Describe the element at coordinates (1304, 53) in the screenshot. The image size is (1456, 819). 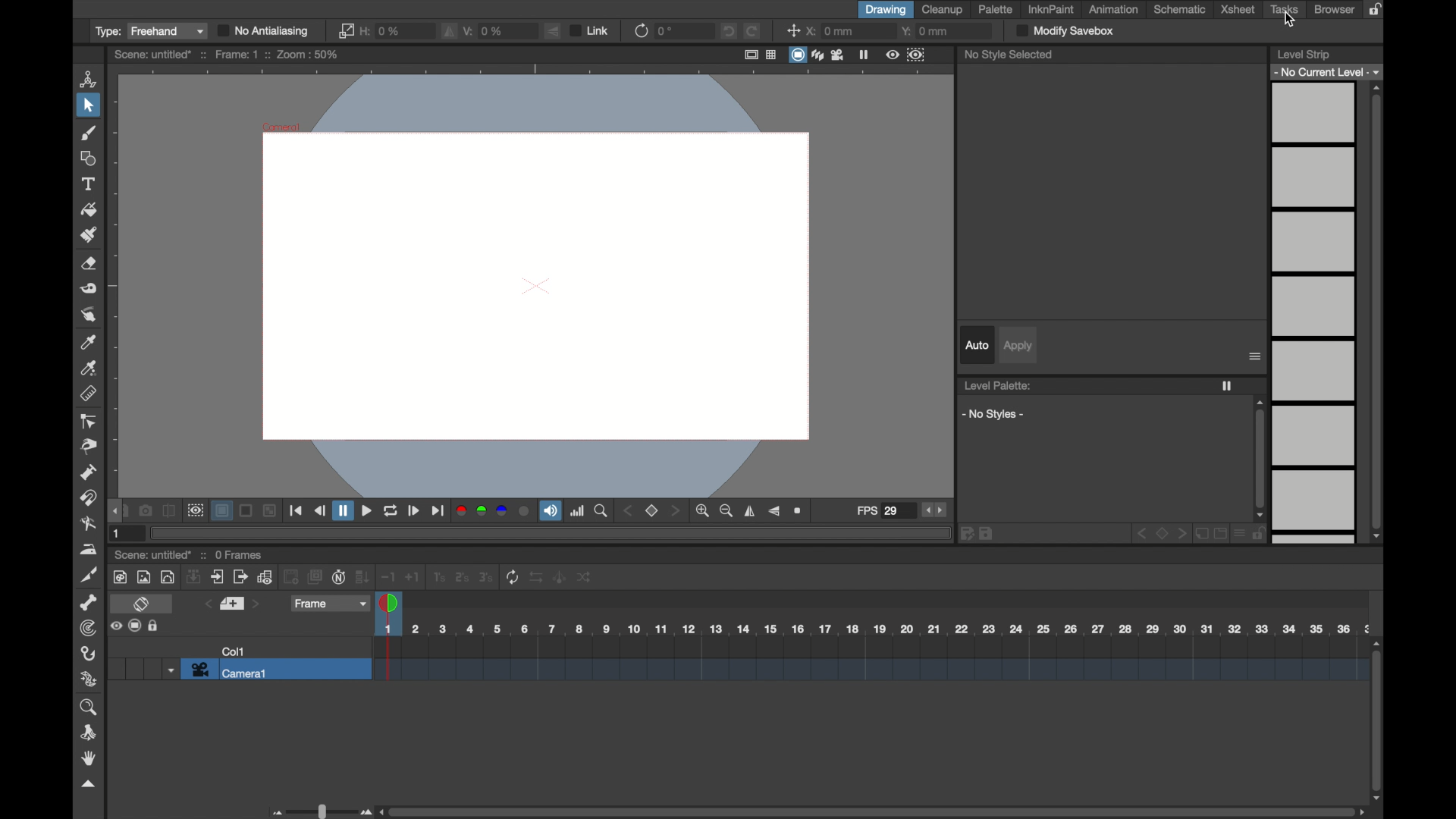
I see `level strip` at that location.